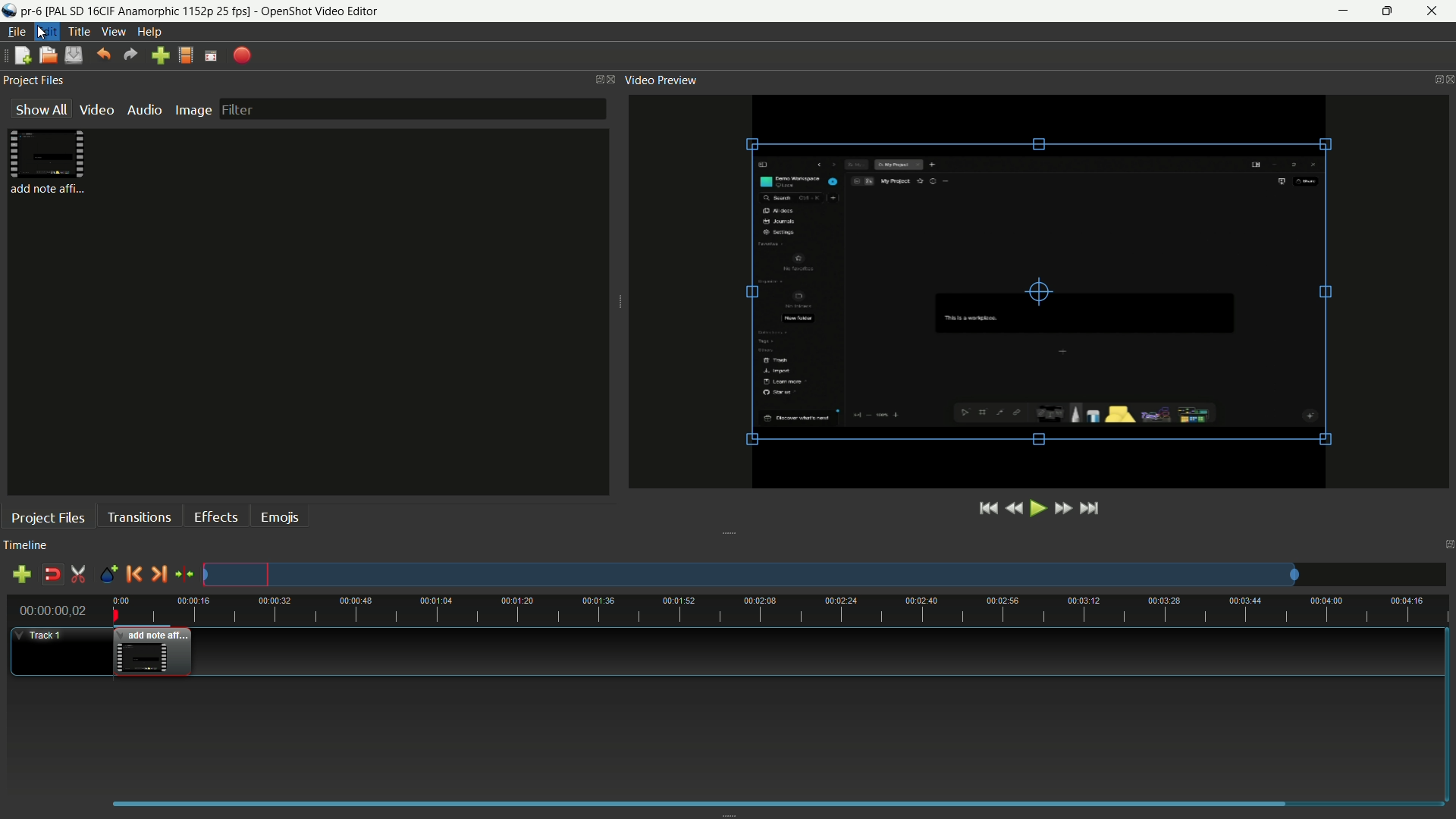 The height and width of the screenshot is (819, 1456). What do you see at coordinates (108, 575) in the screenshot?
I see `create marker` at bounding box center [108, 575].